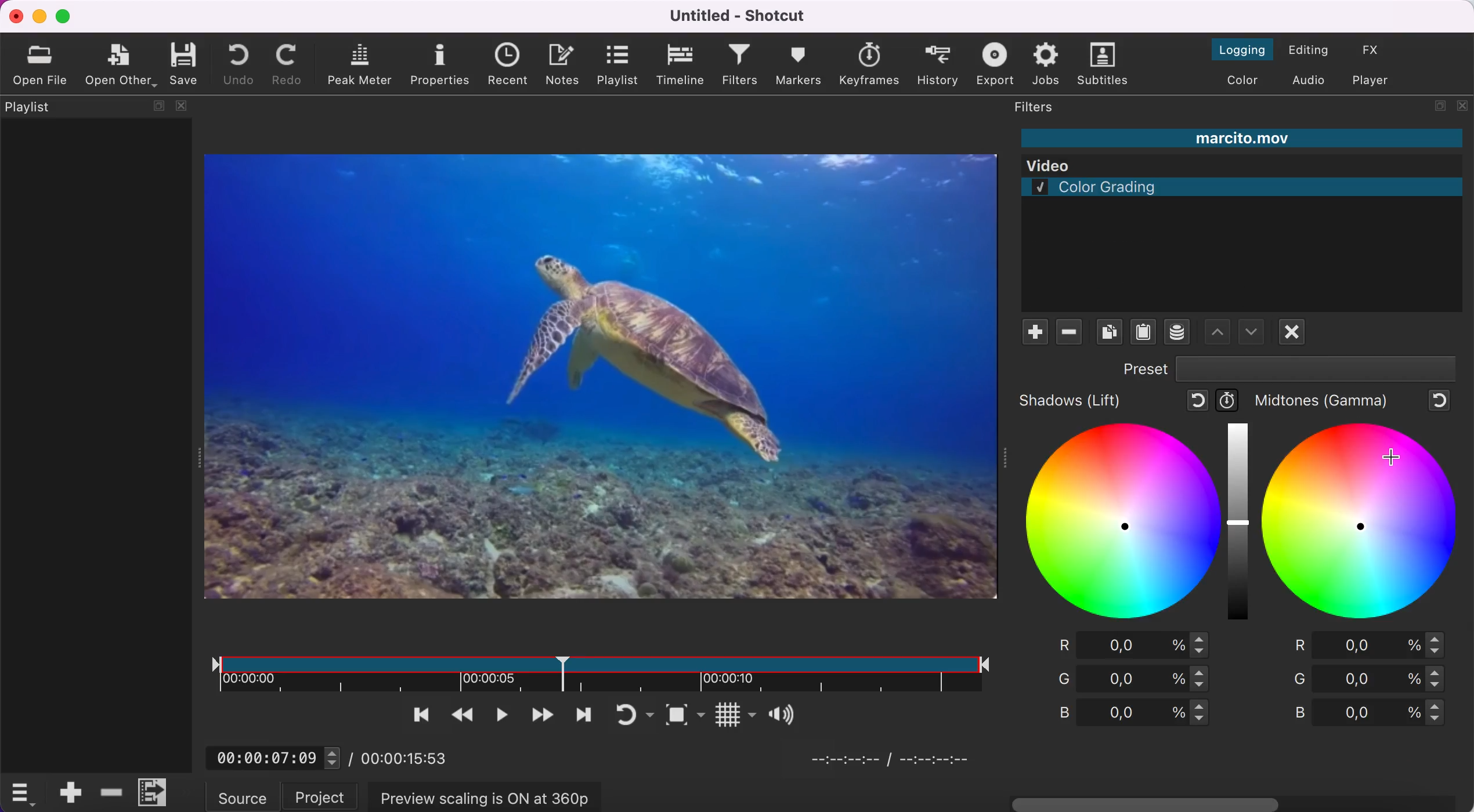 This screenshot has width=1474, height=812. I want to click on preset, so click(1289, 368).